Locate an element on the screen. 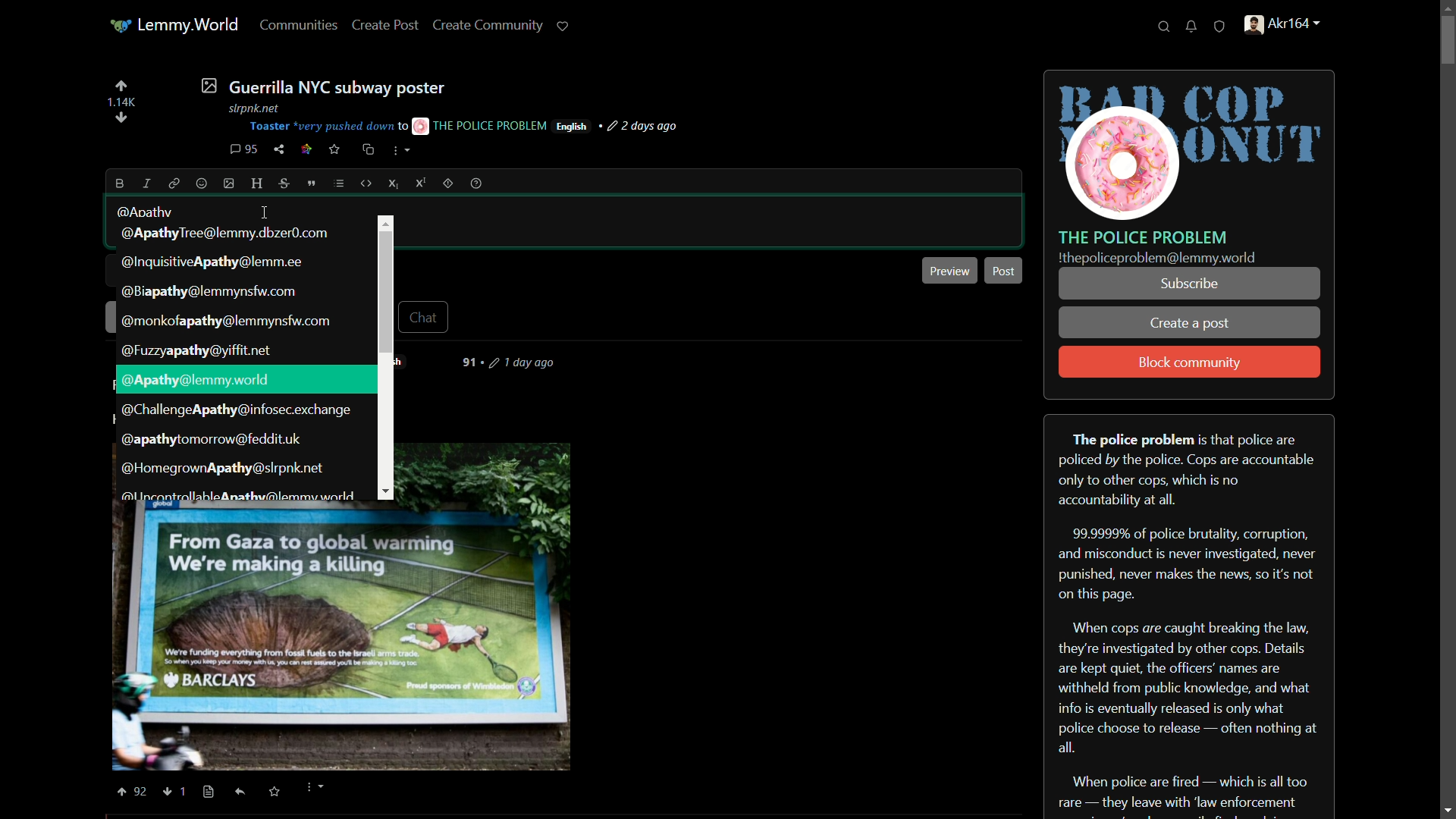  suggestion-5 is located at coordinates (198, 351).